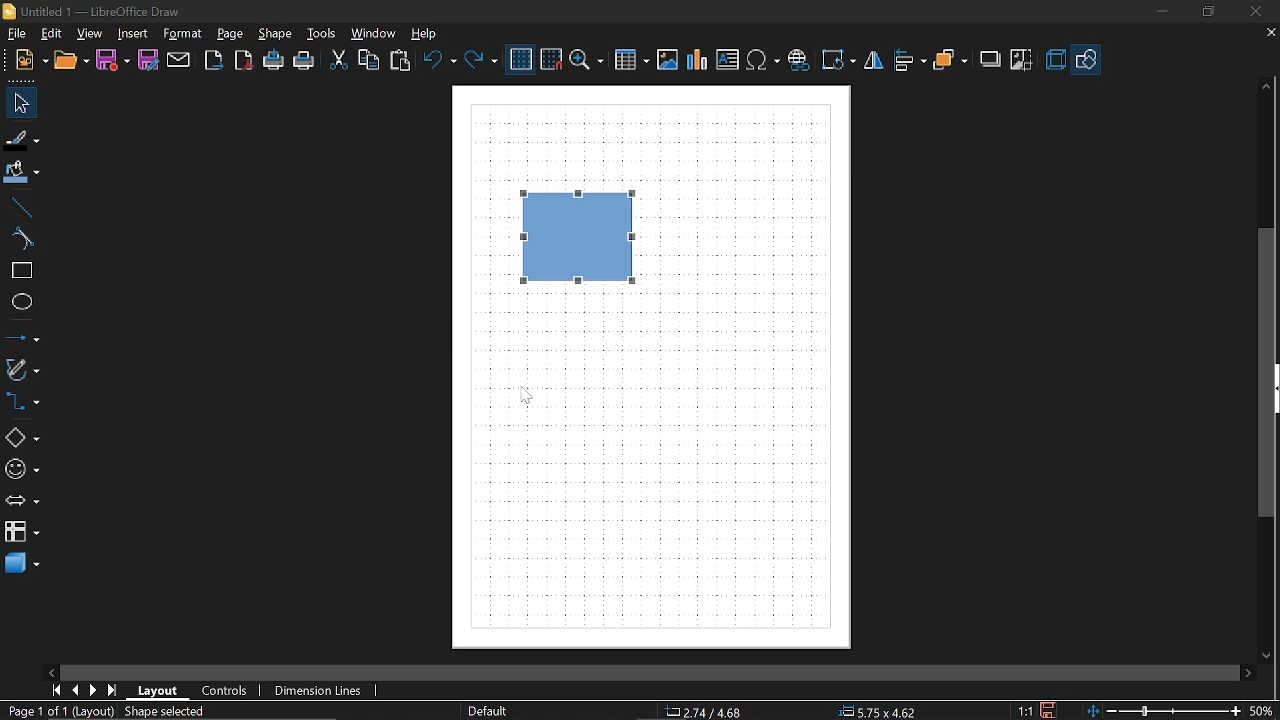 Image resolution: width=1280 pixels, height=720 pixels. What do you see at coordinates (305, 62) in the screenshot?
I see `Print` at bounding box center [305, 62].